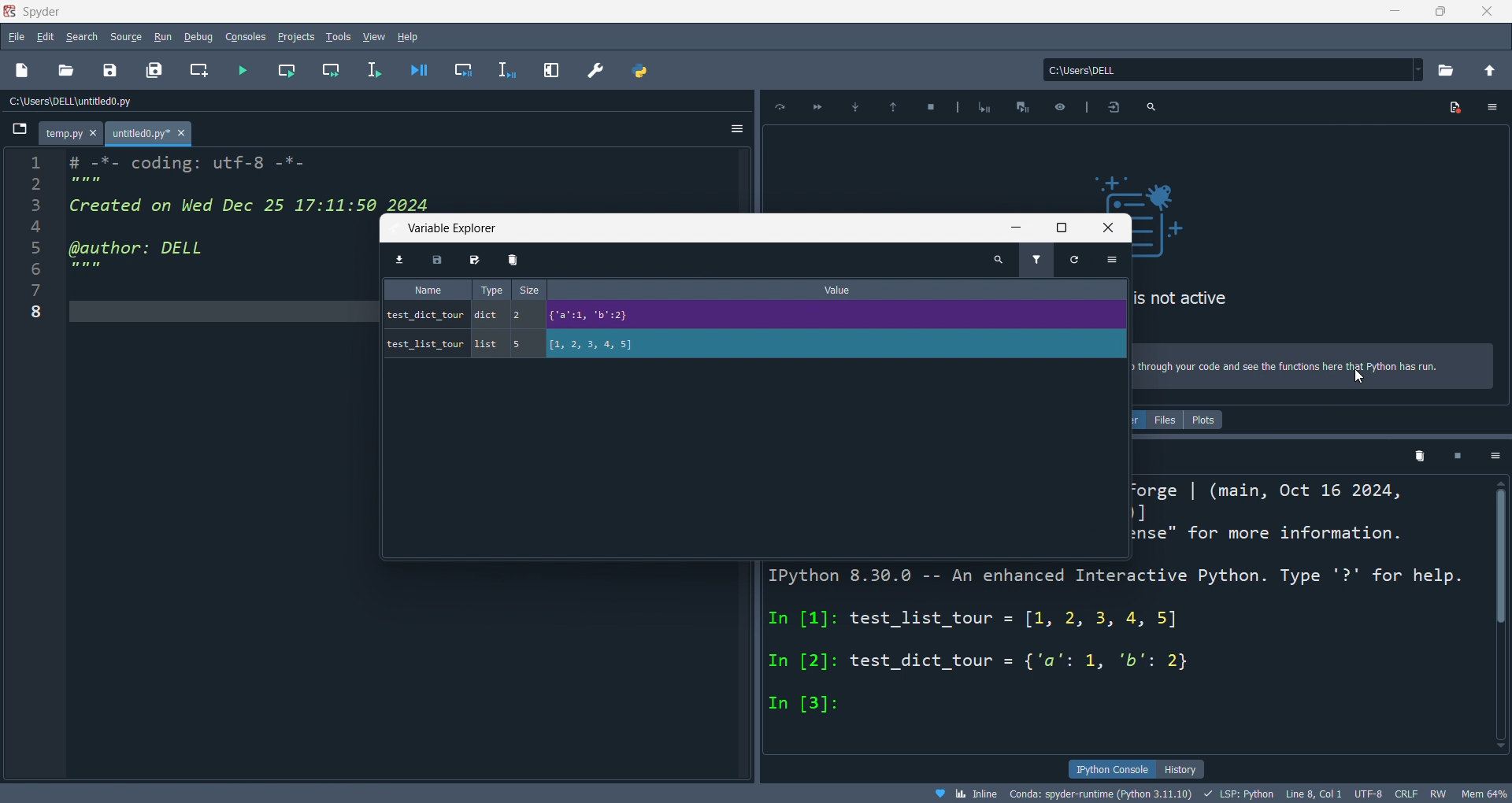 The image size is (1512, 803). I want to click on preference, so click(595, 69).